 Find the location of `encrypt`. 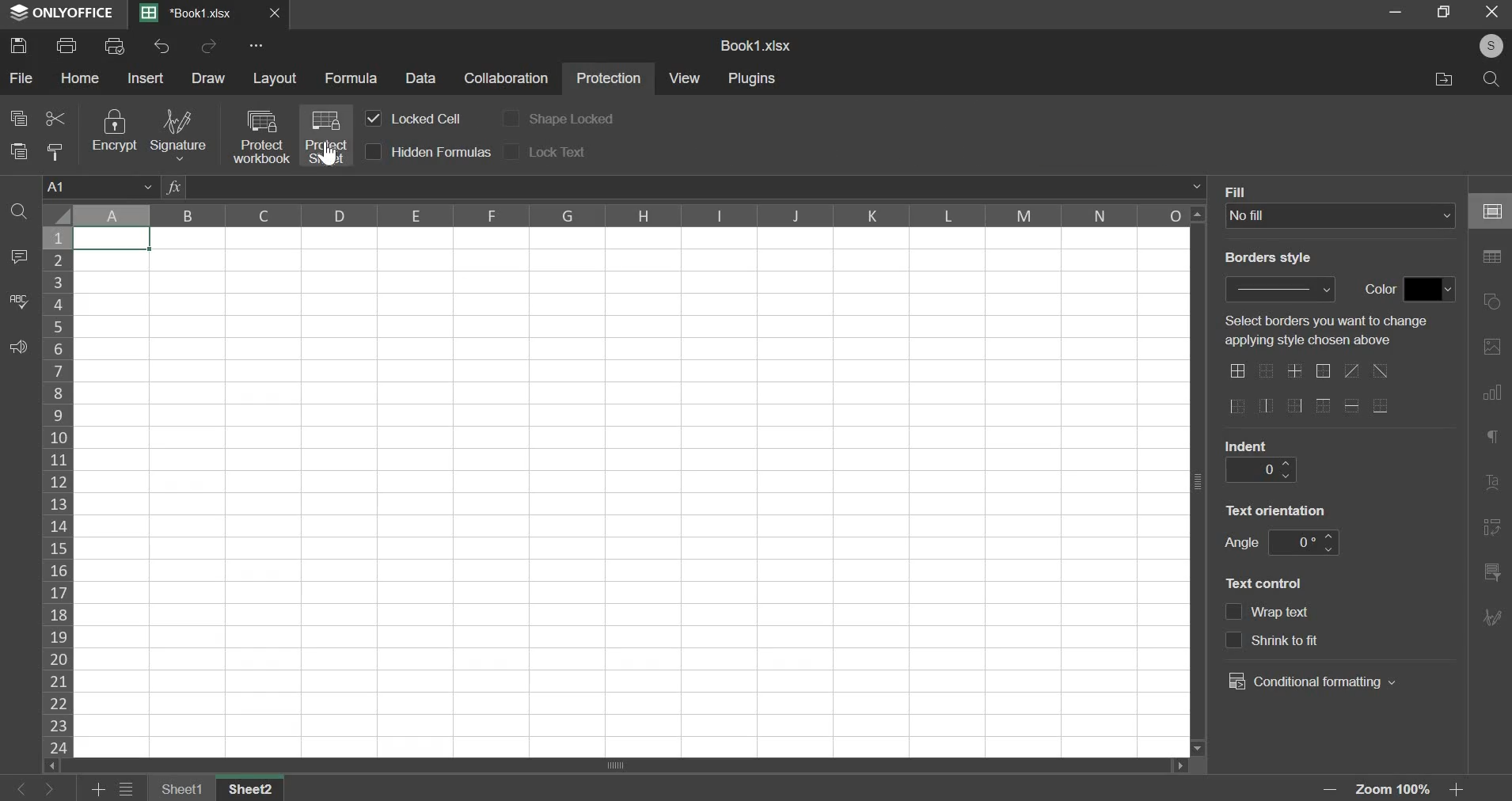

encrypt is located at coordinates (113, 131).